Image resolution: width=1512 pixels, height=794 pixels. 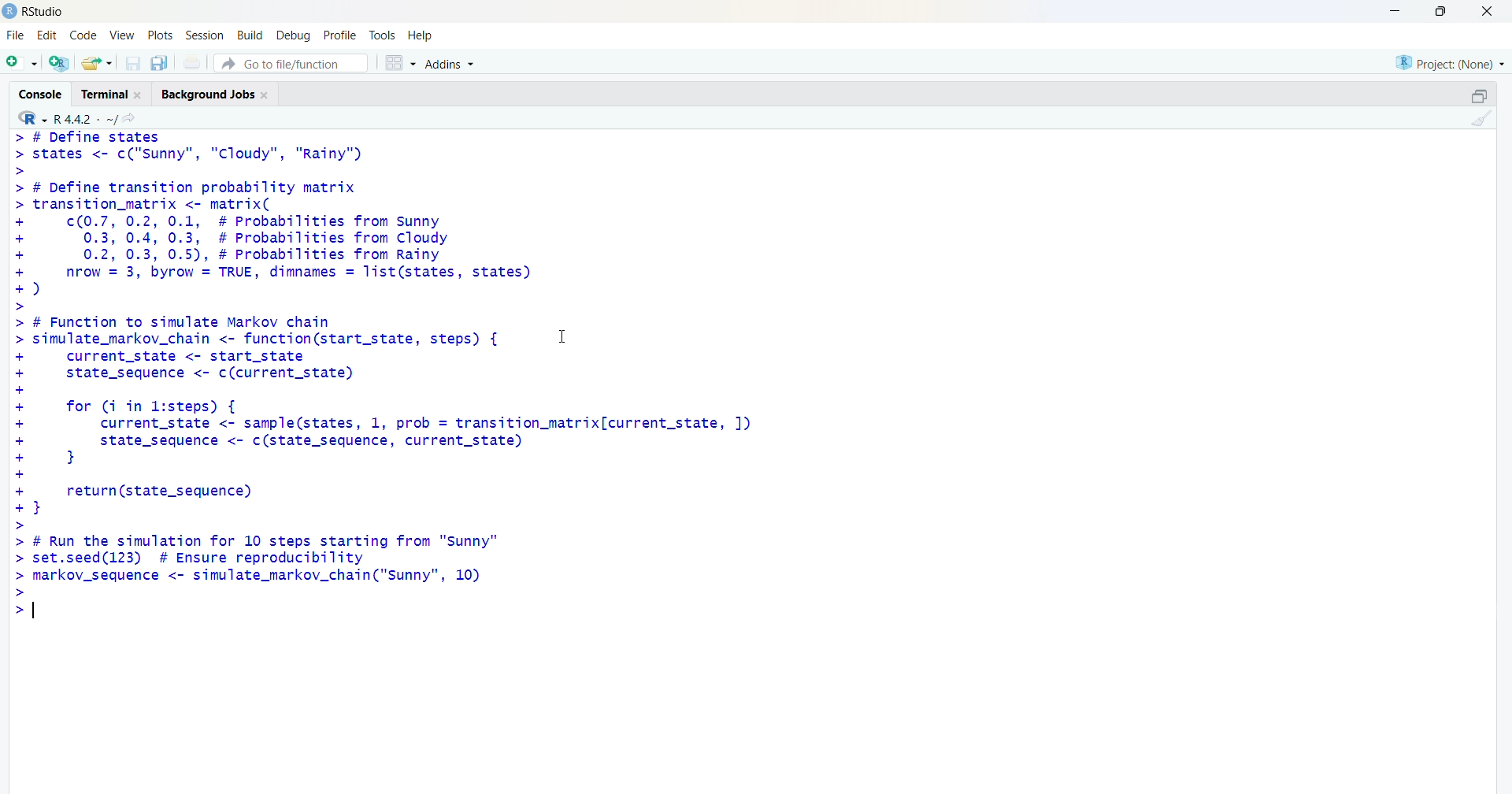 I want to click on debug, so click(x=292, y=35).